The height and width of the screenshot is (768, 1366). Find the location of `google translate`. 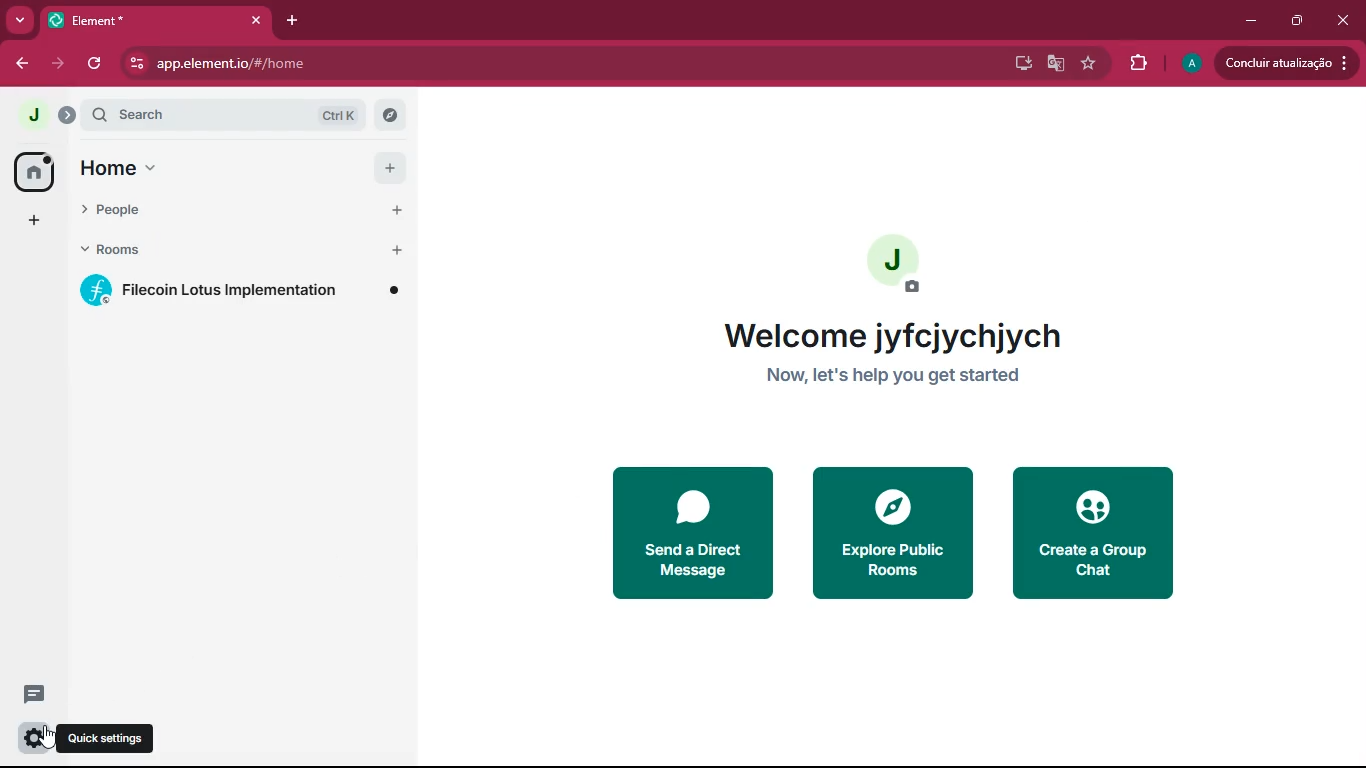

google translate is located at coordinates (1054, 63).